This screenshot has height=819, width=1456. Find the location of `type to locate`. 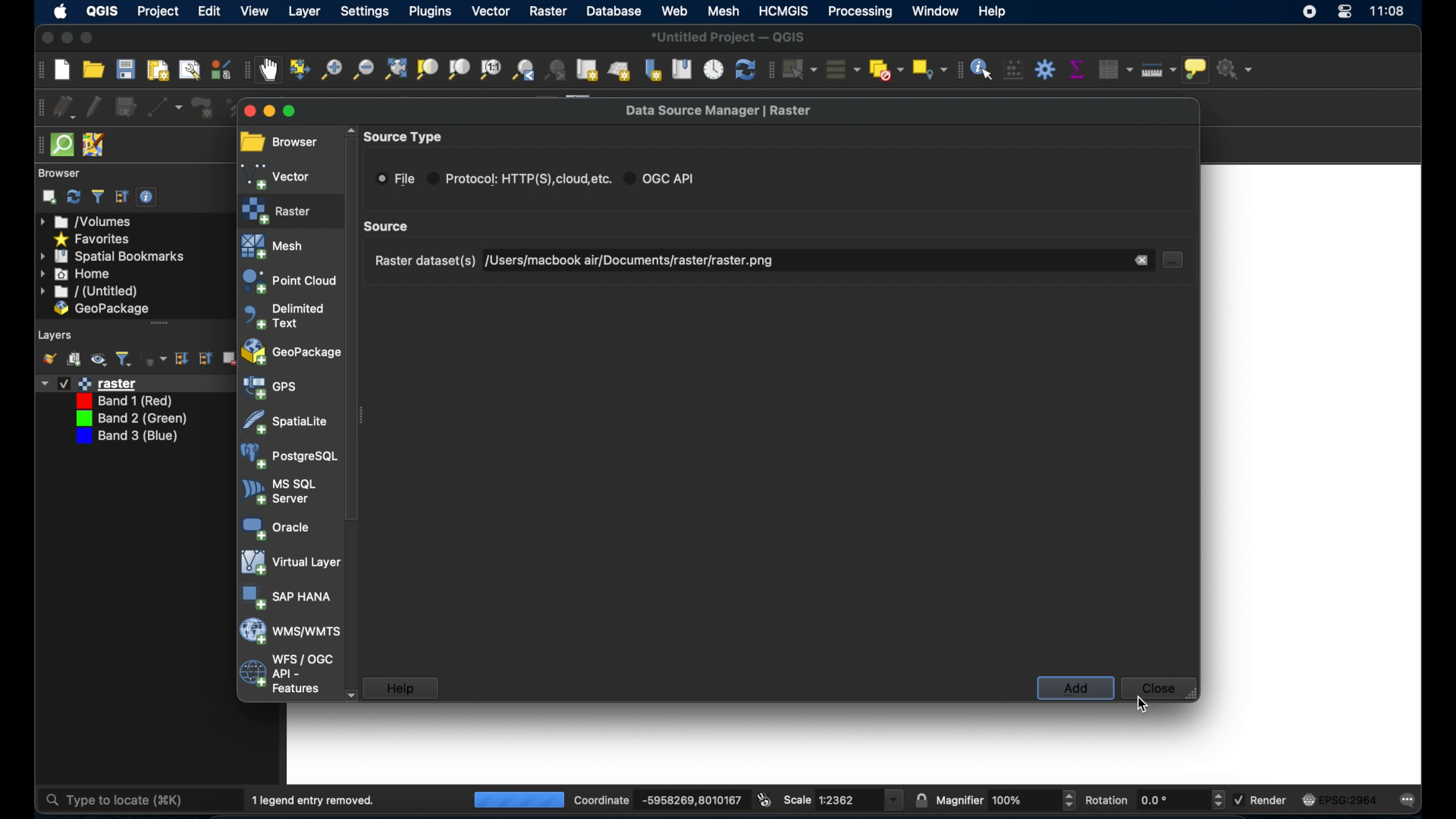

type to locate is located at coordinates (118, 799).